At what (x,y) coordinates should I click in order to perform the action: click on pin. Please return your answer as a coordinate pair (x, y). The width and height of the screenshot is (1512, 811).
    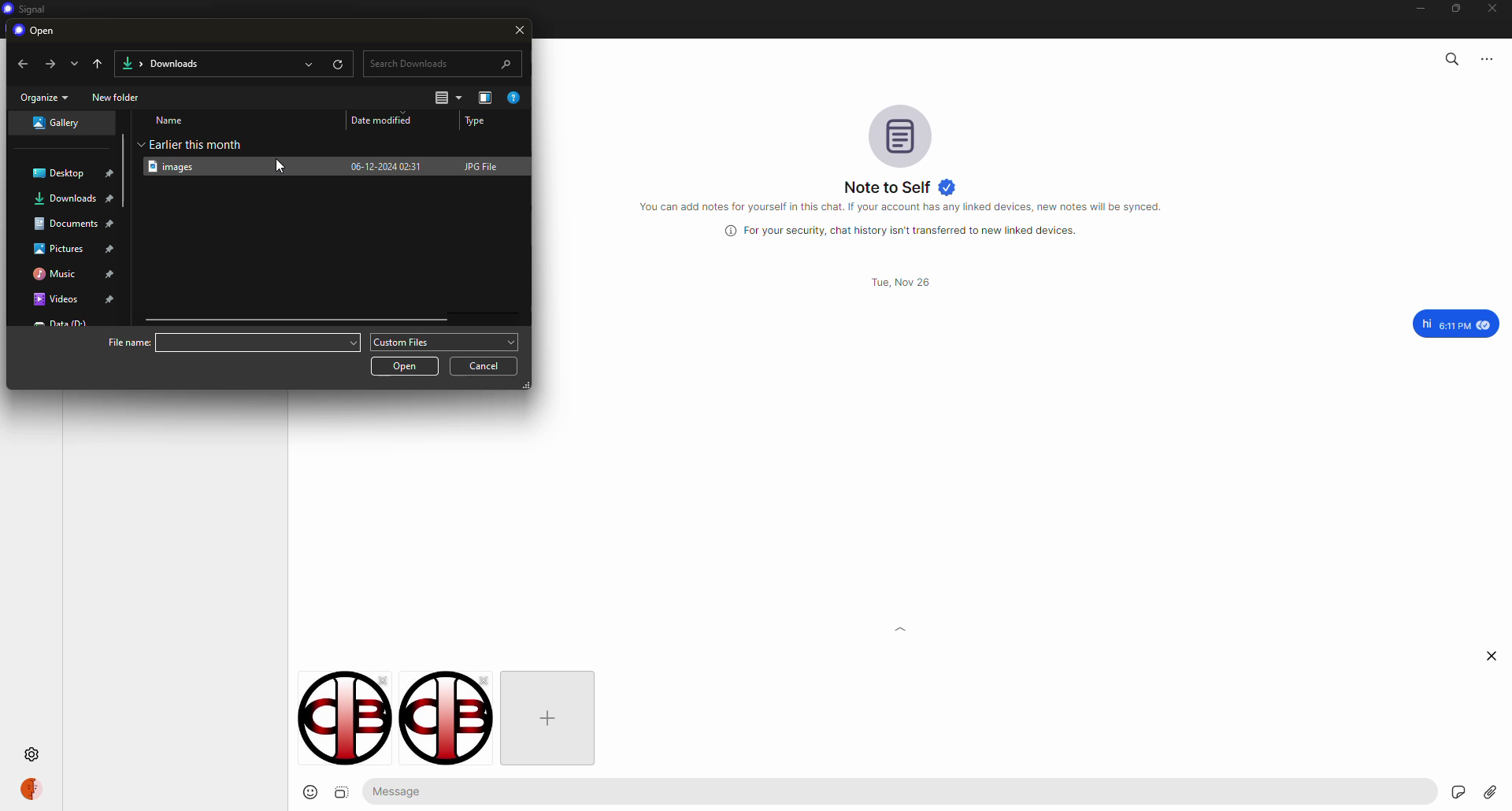
    Looking at the image, I should click on (112, 201).